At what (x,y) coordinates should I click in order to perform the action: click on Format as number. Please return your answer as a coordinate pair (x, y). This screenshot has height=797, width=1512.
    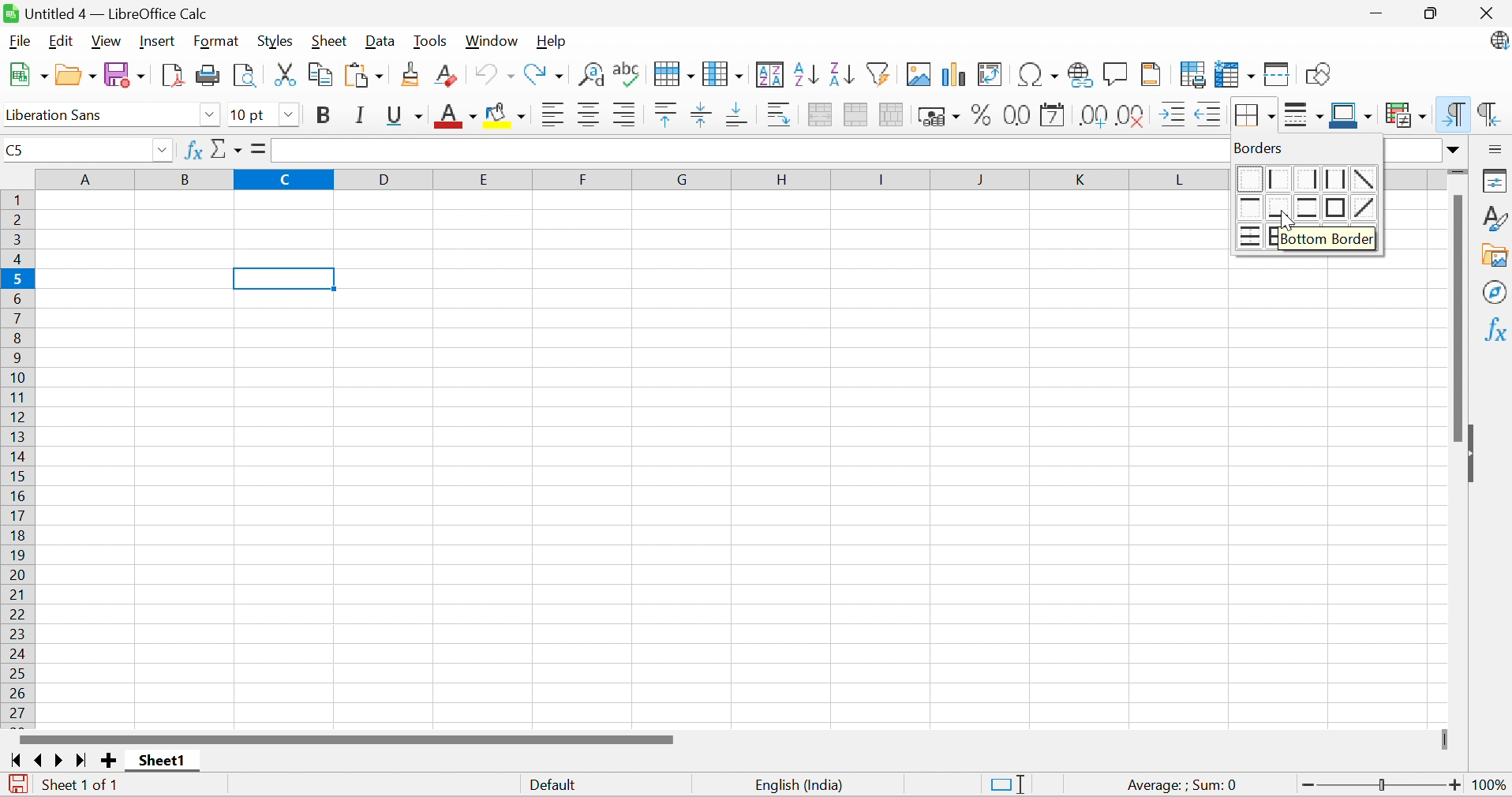
    Looking at the image, I should click on (1019, 114).